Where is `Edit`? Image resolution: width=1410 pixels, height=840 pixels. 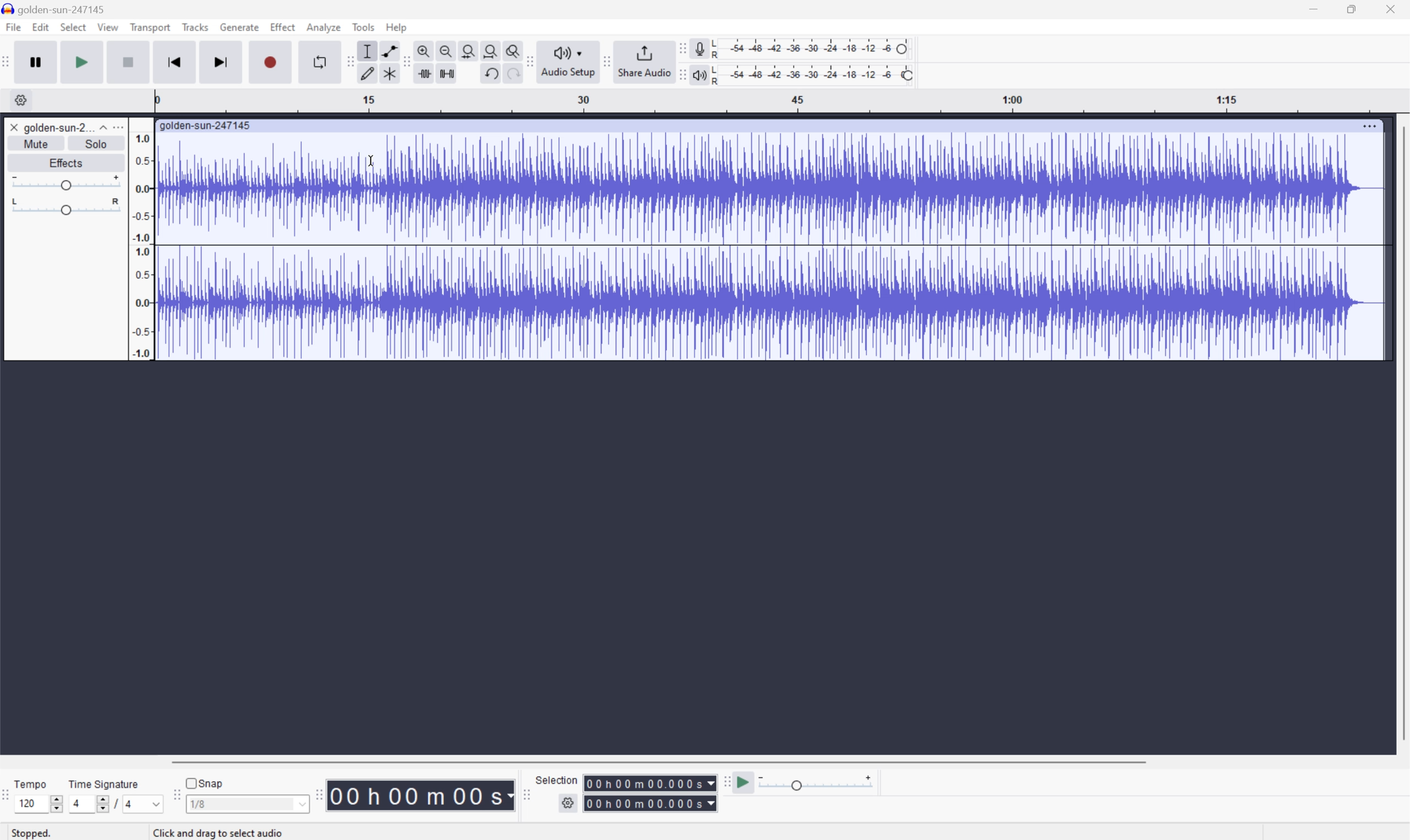
Edit is located at coordinates (41, 28).